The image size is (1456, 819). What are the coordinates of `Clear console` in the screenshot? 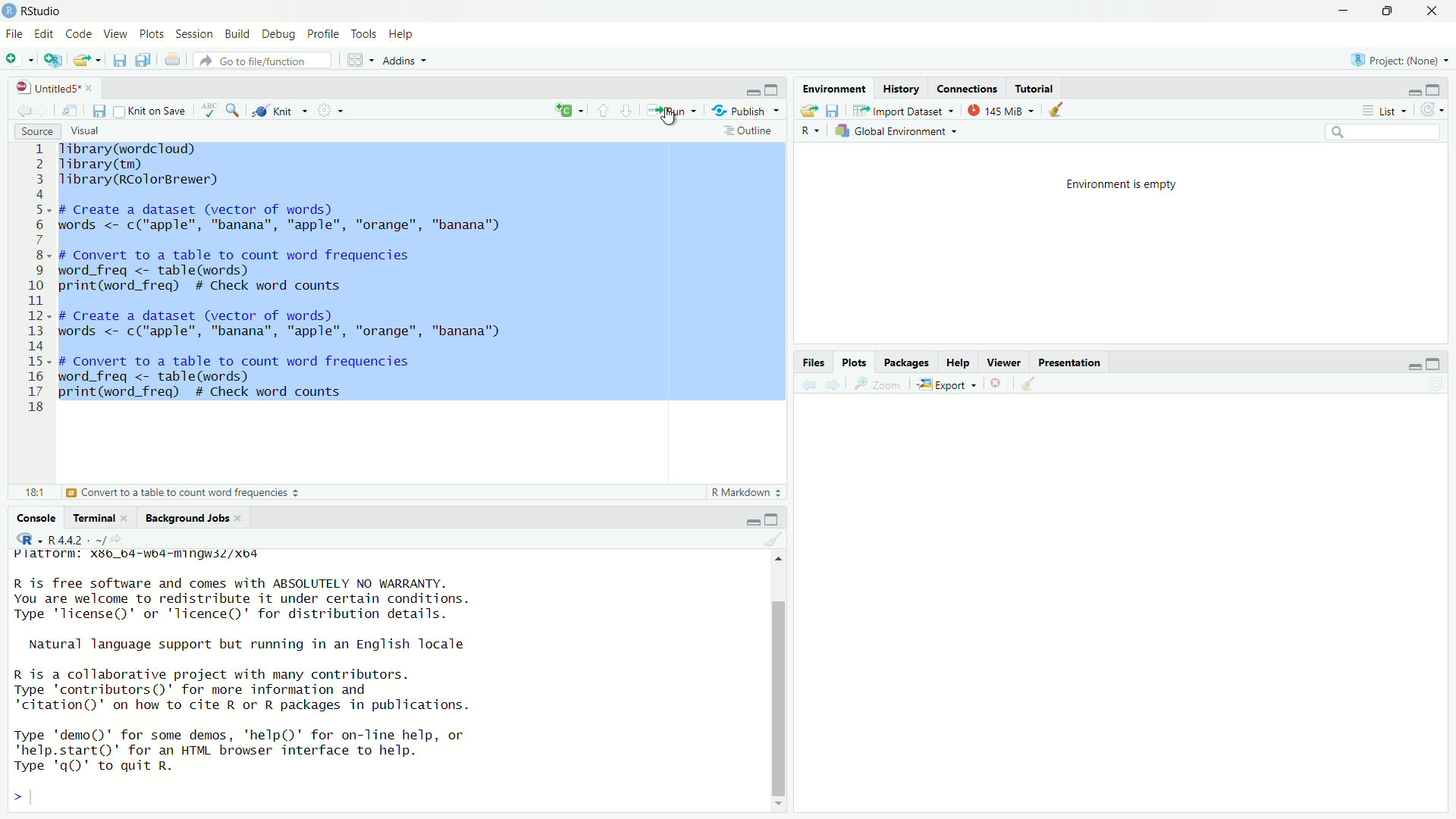 It's located at (777, 541).